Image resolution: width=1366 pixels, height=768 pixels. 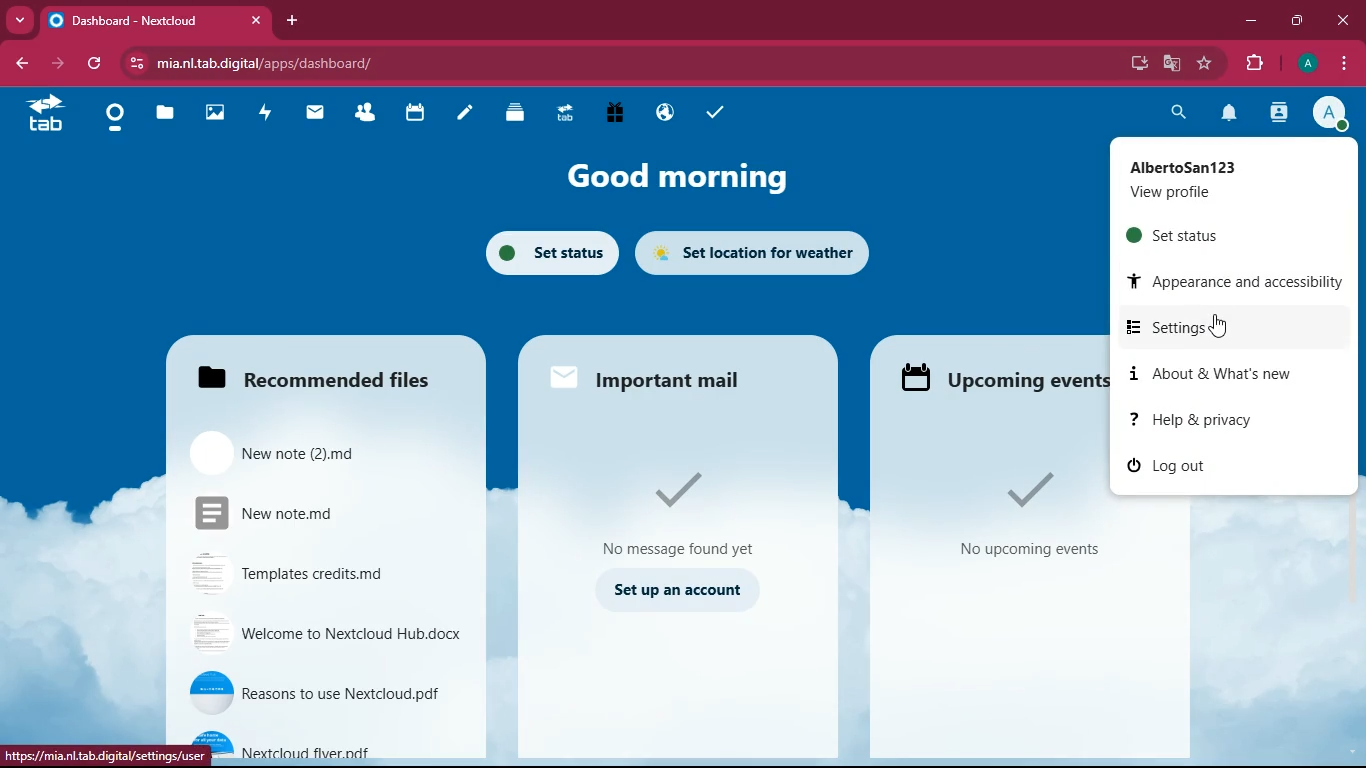 What do you see at coordinates (1280, 112) in the screenshot?
I see `activity` at bounding box center [1280, 112].